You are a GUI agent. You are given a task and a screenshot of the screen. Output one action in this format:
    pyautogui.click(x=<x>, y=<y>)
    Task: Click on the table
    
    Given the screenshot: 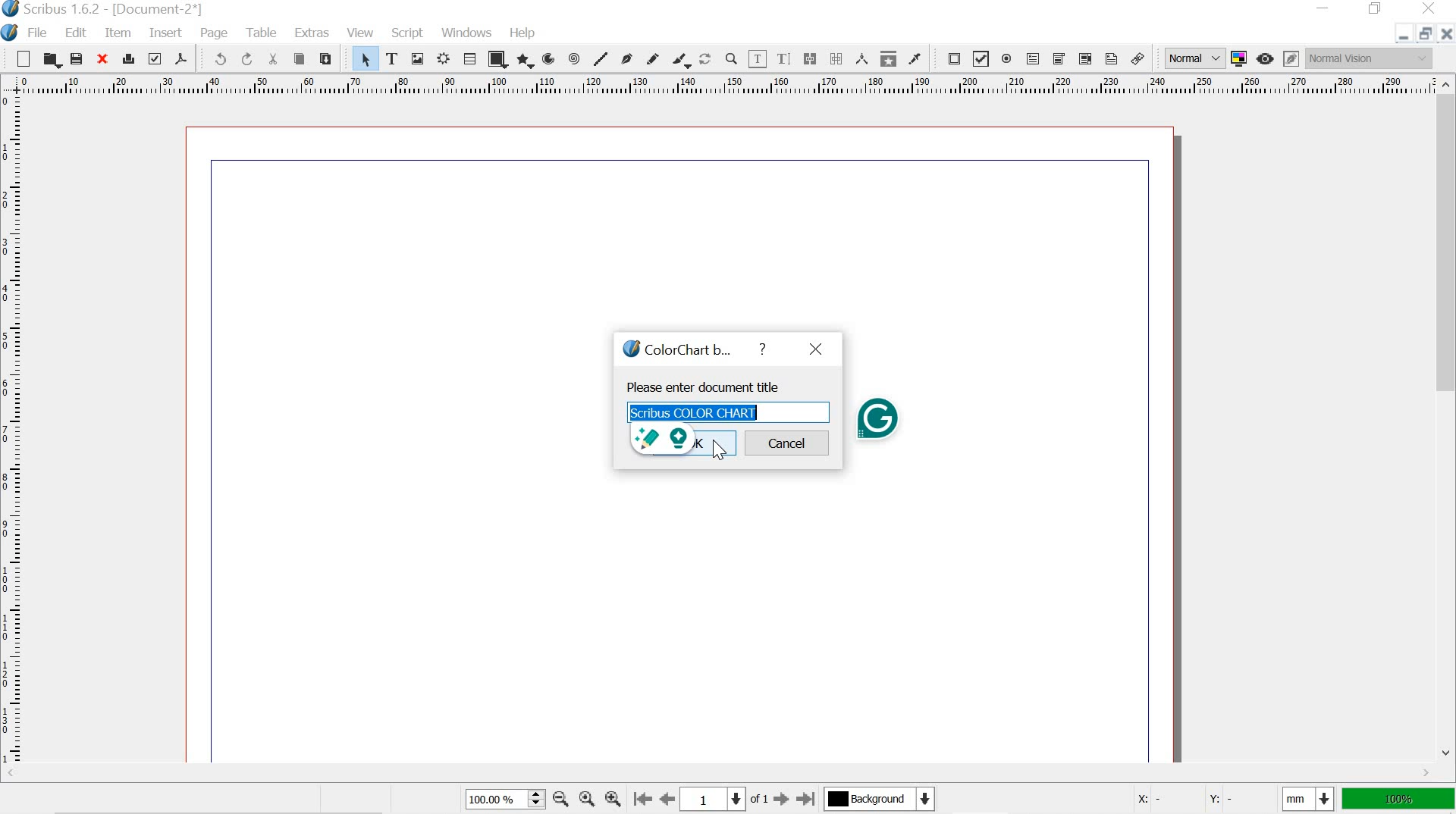 What is the action you would take?
    pyautogui.click(x=470, y=58)
    